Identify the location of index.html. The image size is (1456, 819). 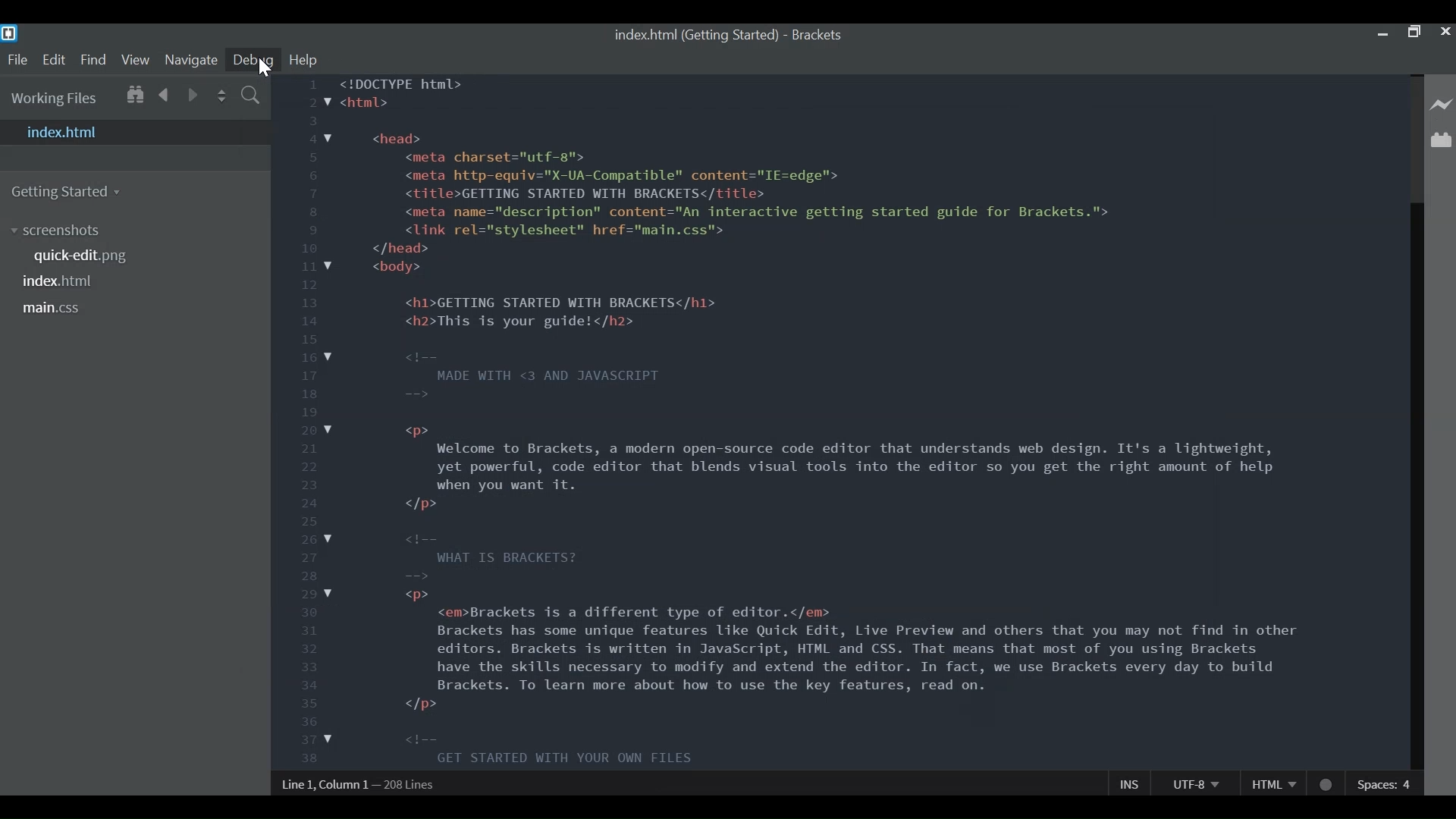
(138, 132).